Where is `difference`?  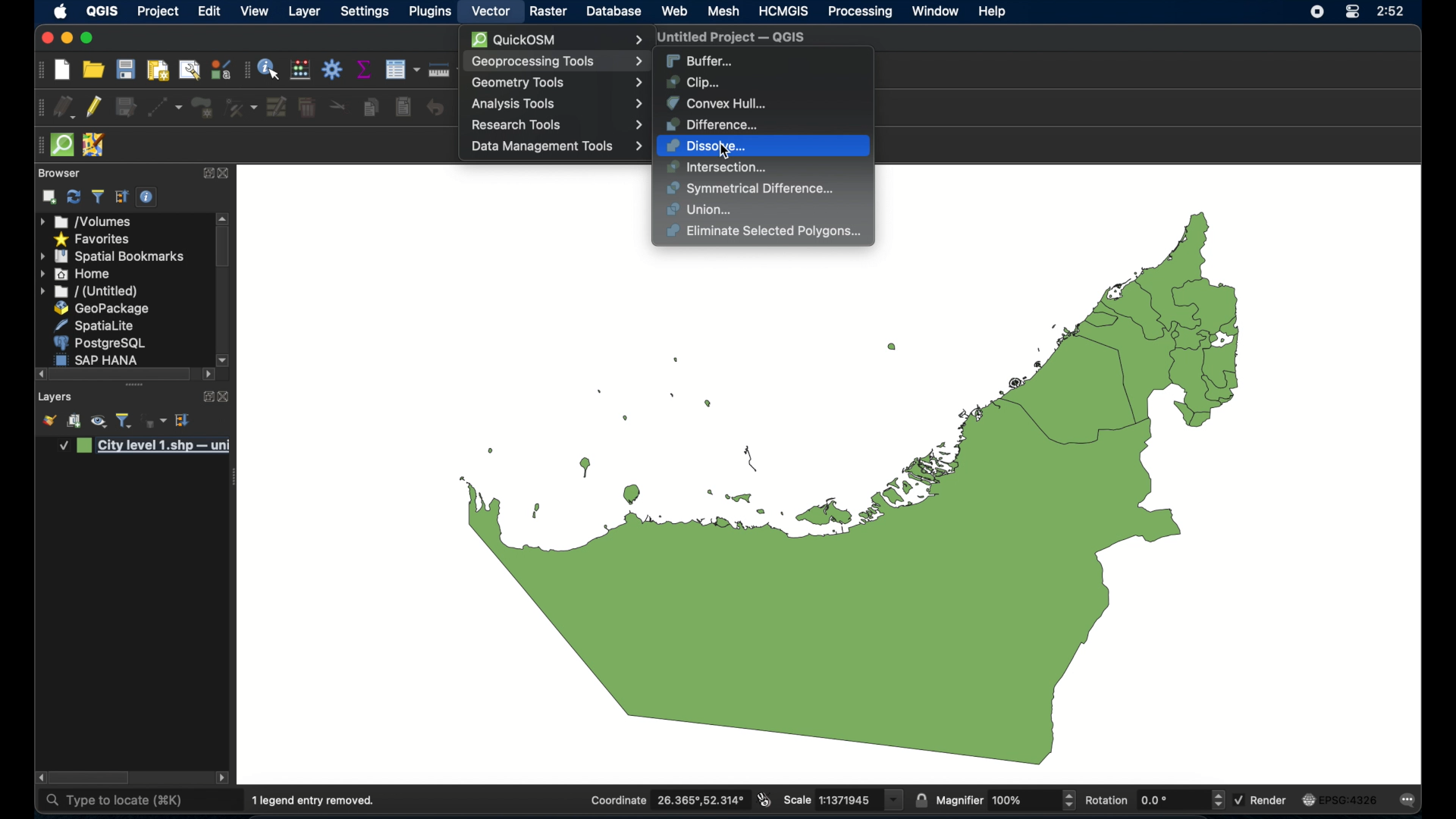
difference is located at coordinates (714, 124).